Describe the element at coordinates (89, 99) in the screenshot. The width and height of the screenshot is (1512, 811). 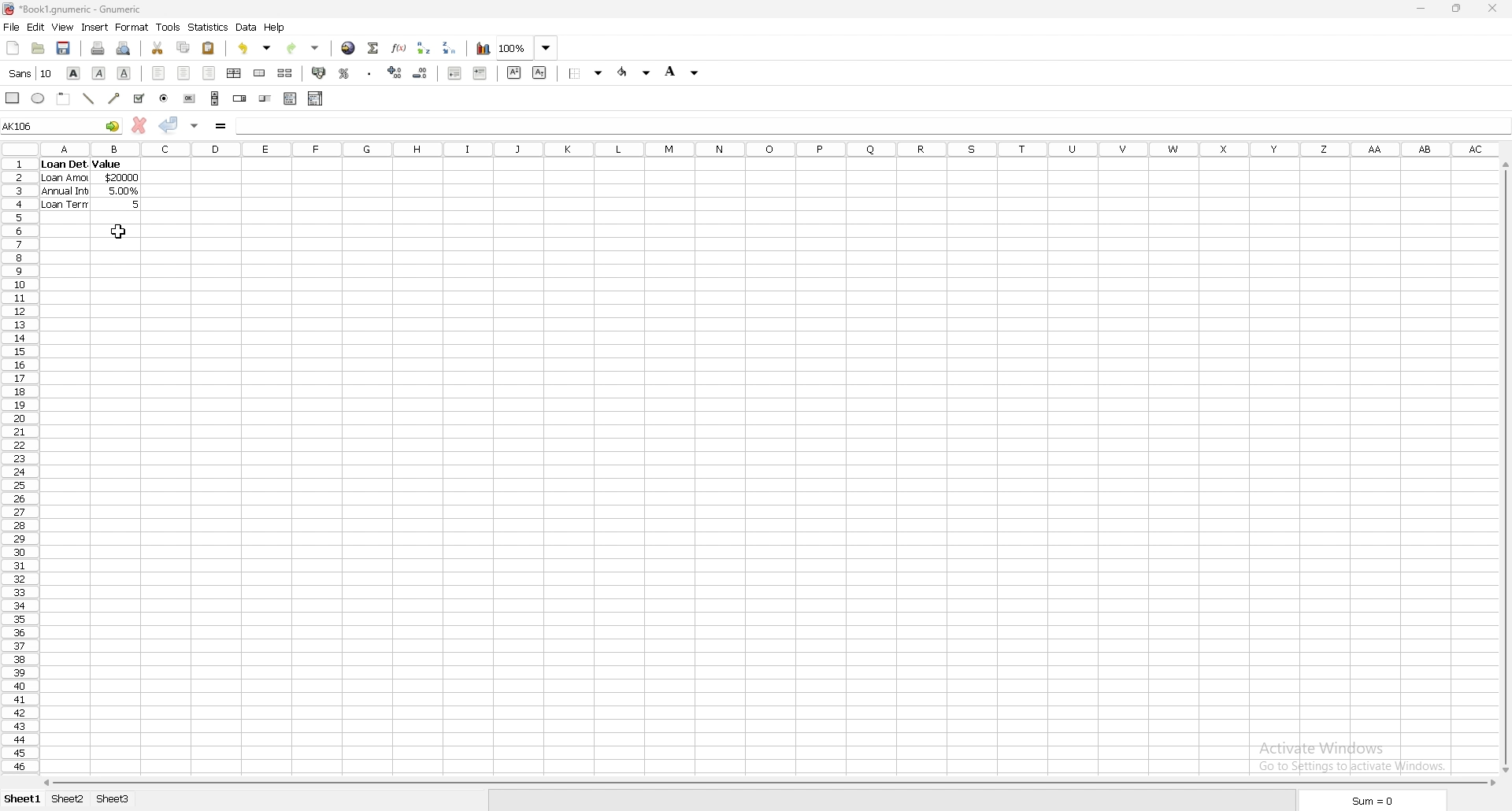
I see `line` at that location.